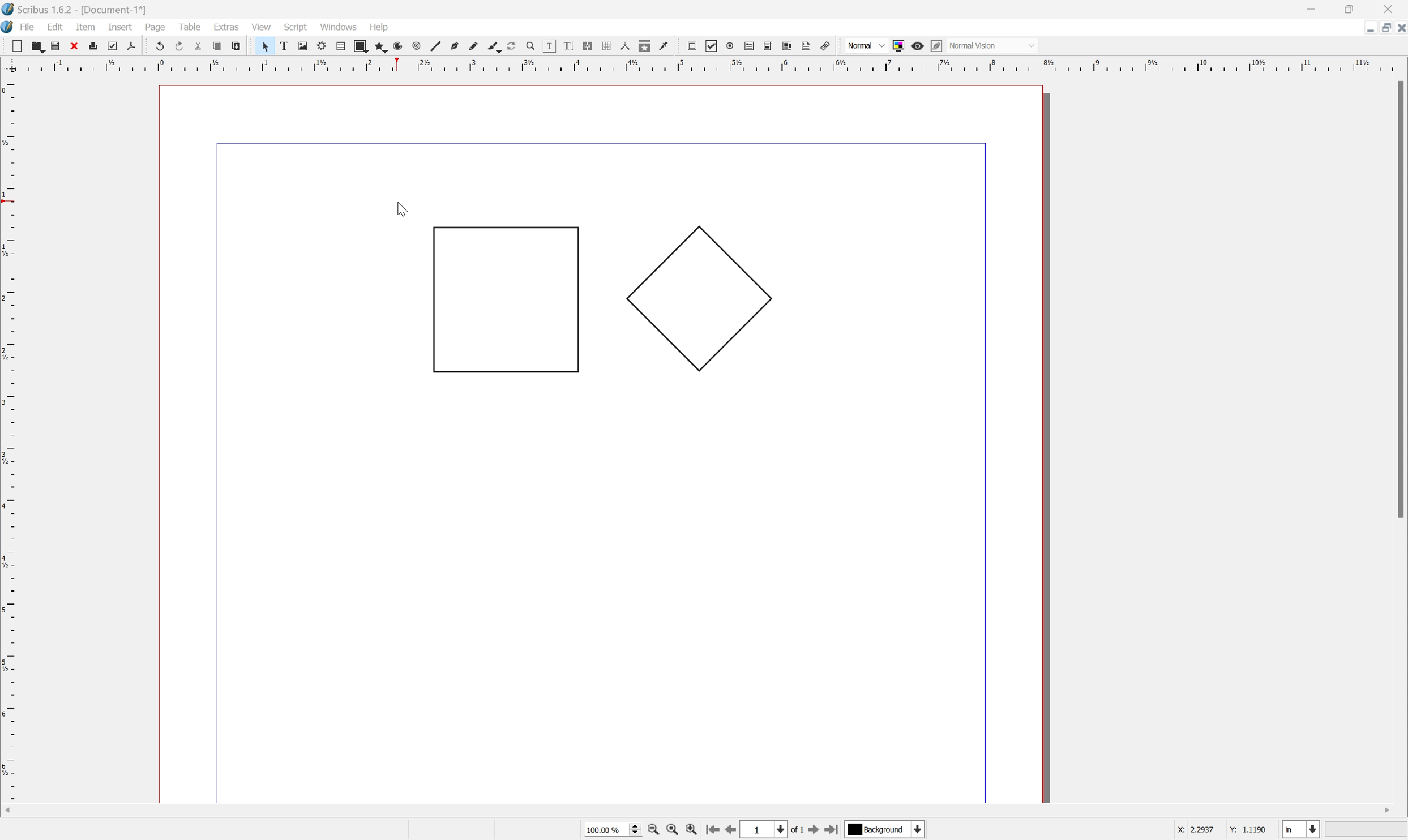  Describe the element at coordinates (281, 46) in the screenshot. I see `text frame` at that location.